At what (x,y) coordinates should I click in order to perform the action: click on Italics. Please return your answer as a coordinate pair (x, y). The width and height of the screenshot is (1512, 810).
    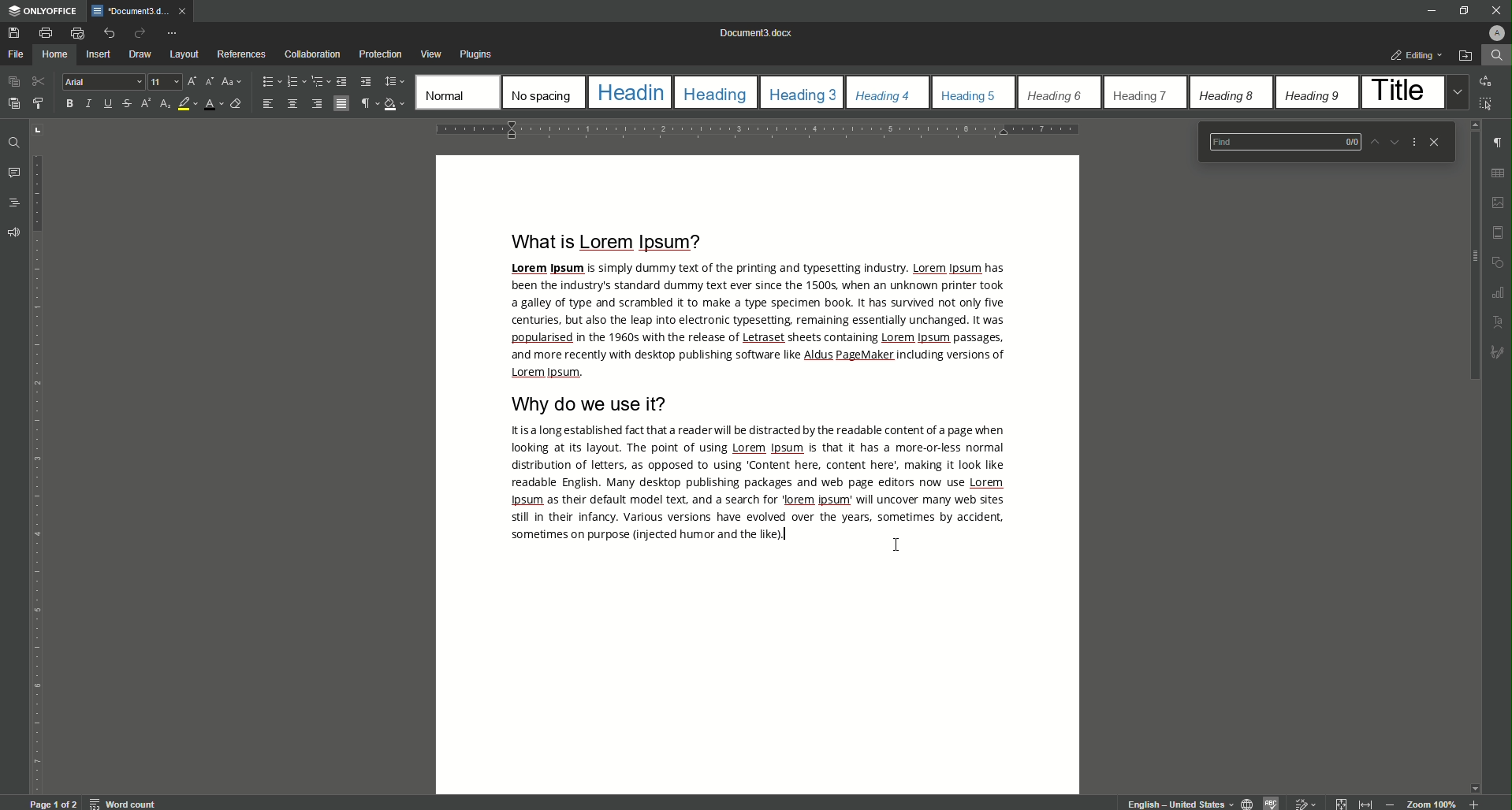
    Looking at the image, I should click on (89, 105).